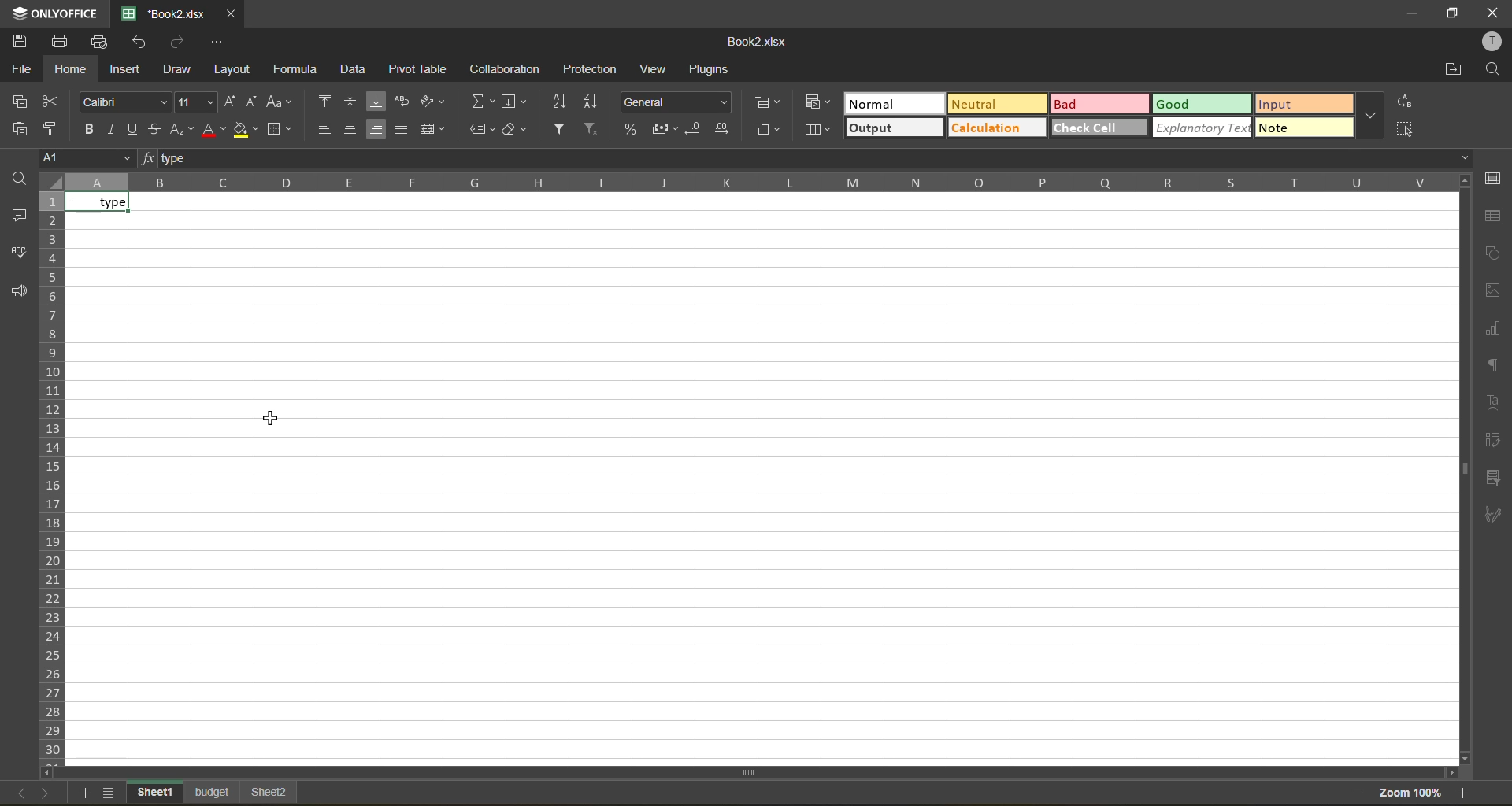  Describe the element at coordinates (22, 70) in the screenshot. I see `file` at that location.